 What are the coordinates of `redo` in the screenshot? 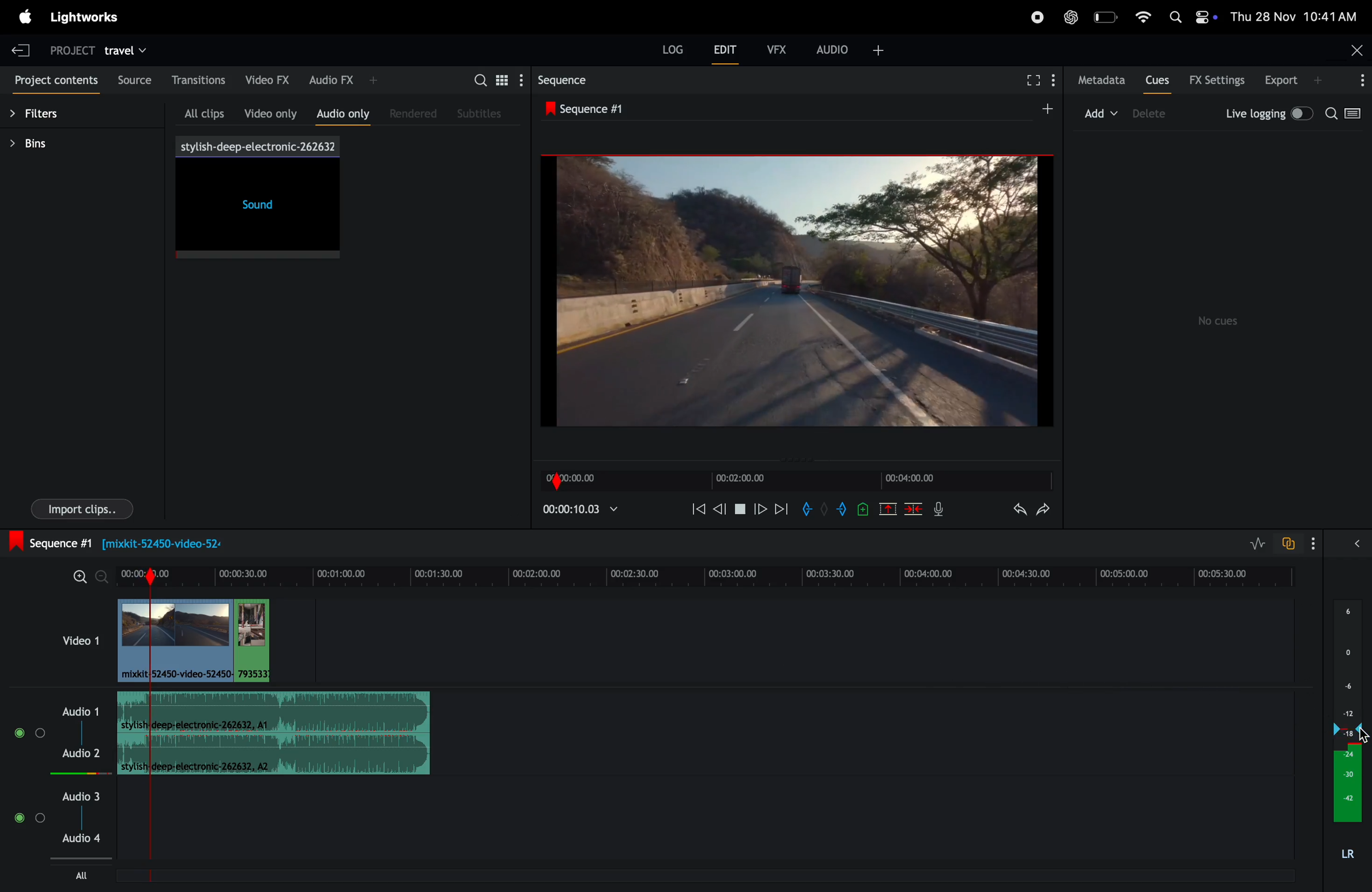 It's located at (1044, 508).